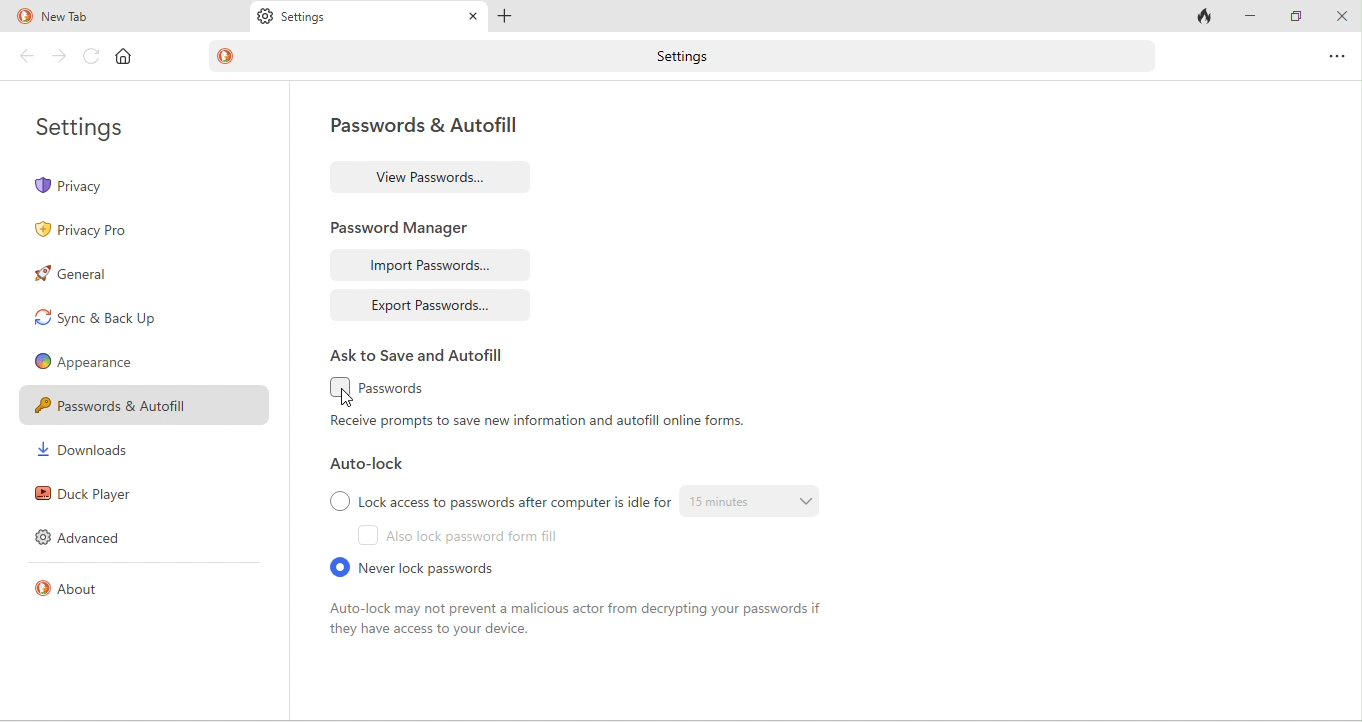  What do you see at coordinates (438, 174) in the screenshot?
I see `view passwords` at bounding box center [438, 174].